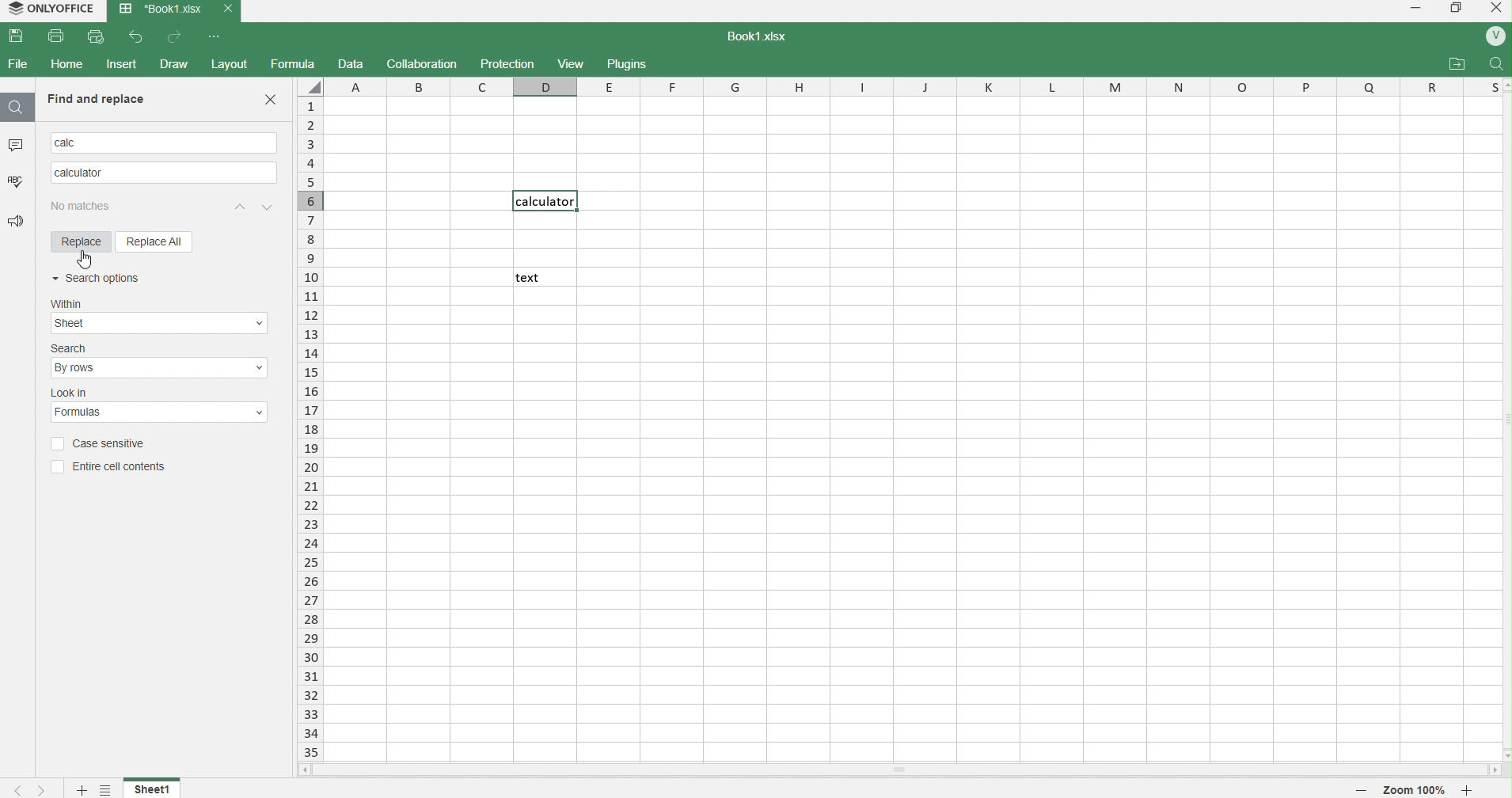 The width and height of the screenshot is (1512, 798). I want to click on searched text calc, so click(162, 142).